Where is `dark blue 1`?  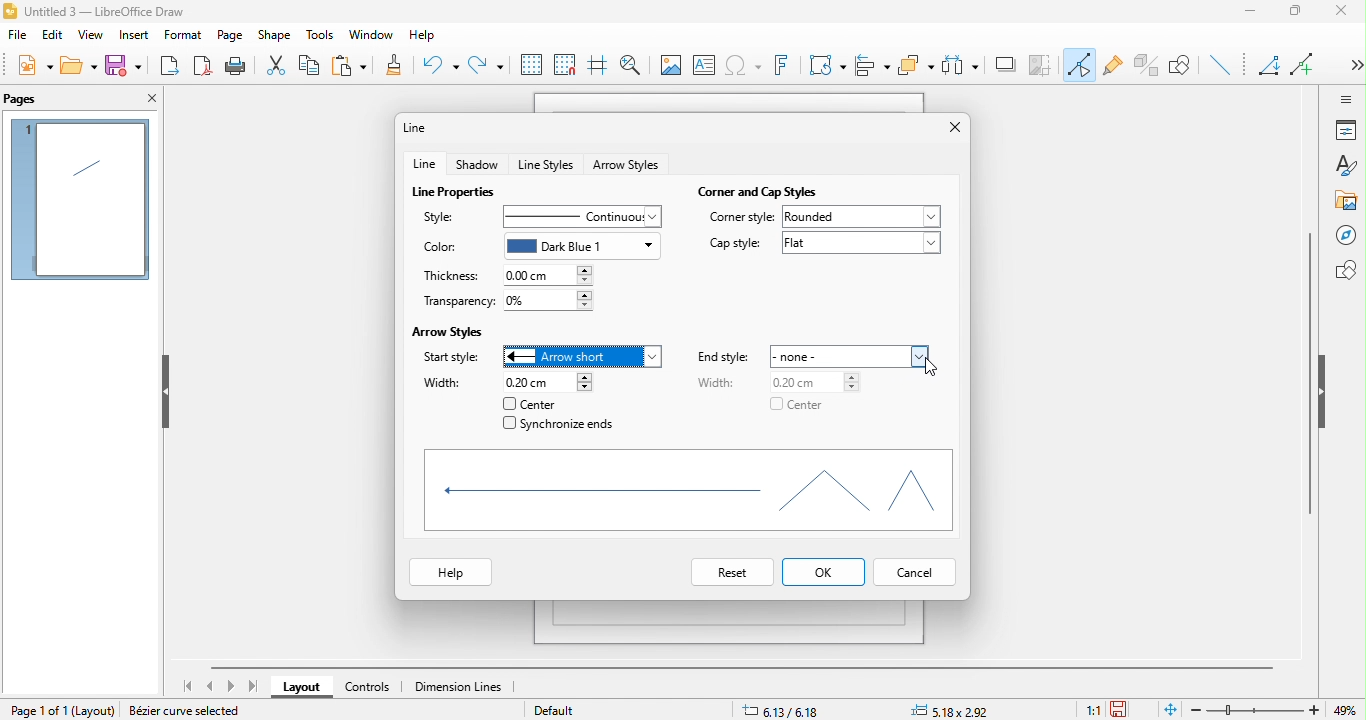
dark blue 1 is located at coordinates (584, 246).